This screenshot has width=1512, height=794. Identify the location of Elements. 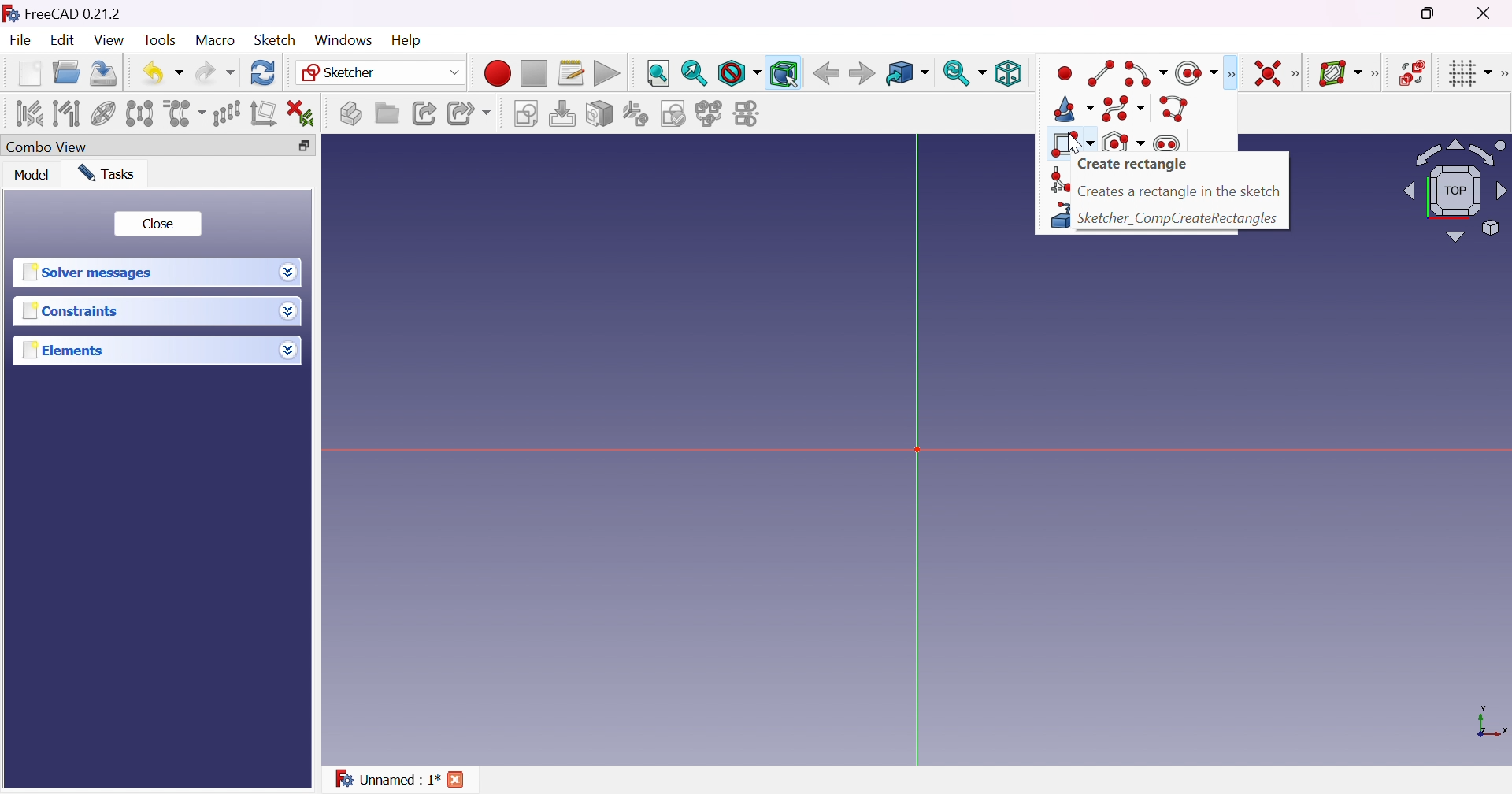
(63, 351).